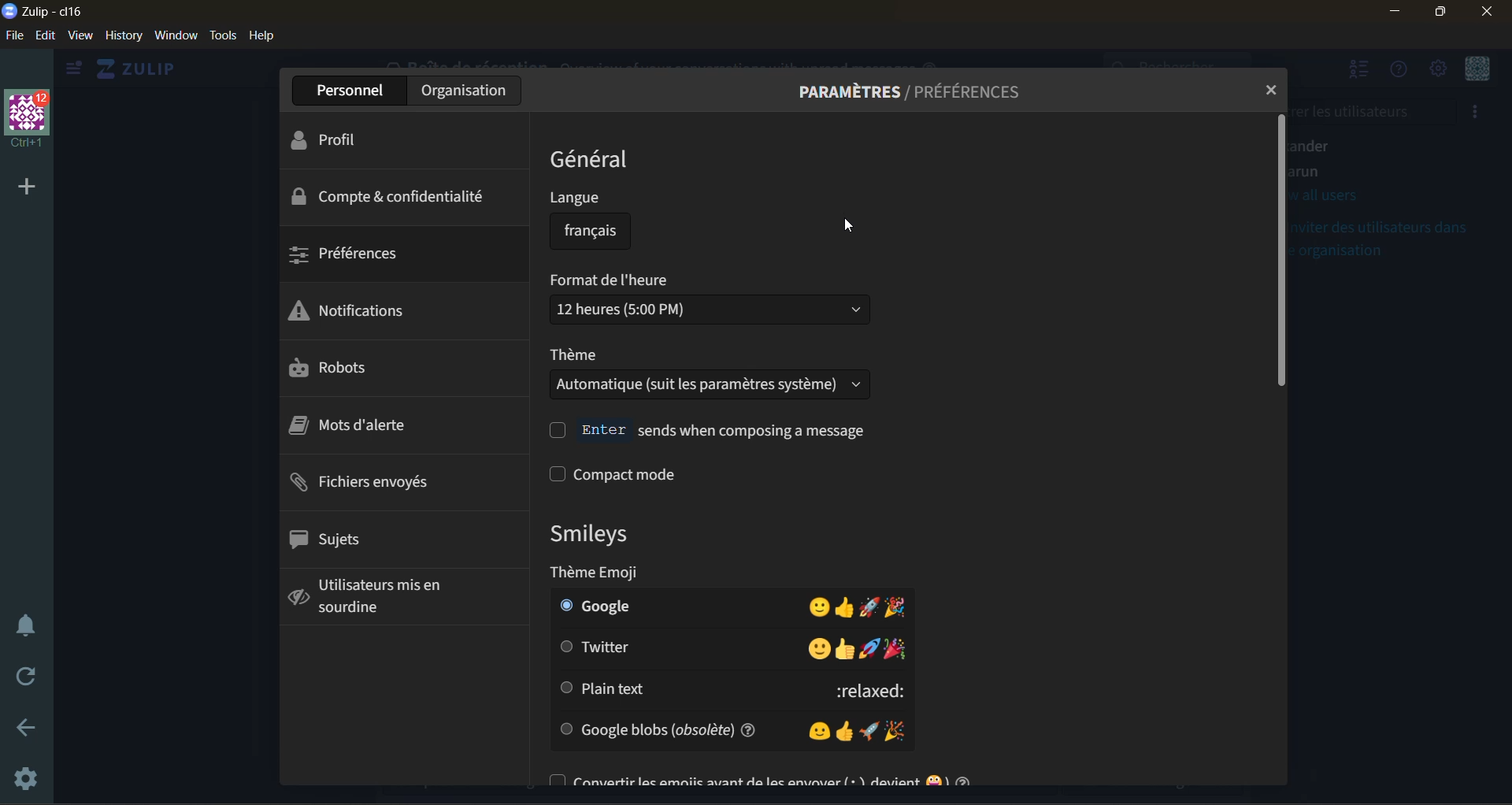 The image size is (1512, 805). Describe the element at coordinates (73, 69) in the screenshot. I see `show left side bar` at that location.